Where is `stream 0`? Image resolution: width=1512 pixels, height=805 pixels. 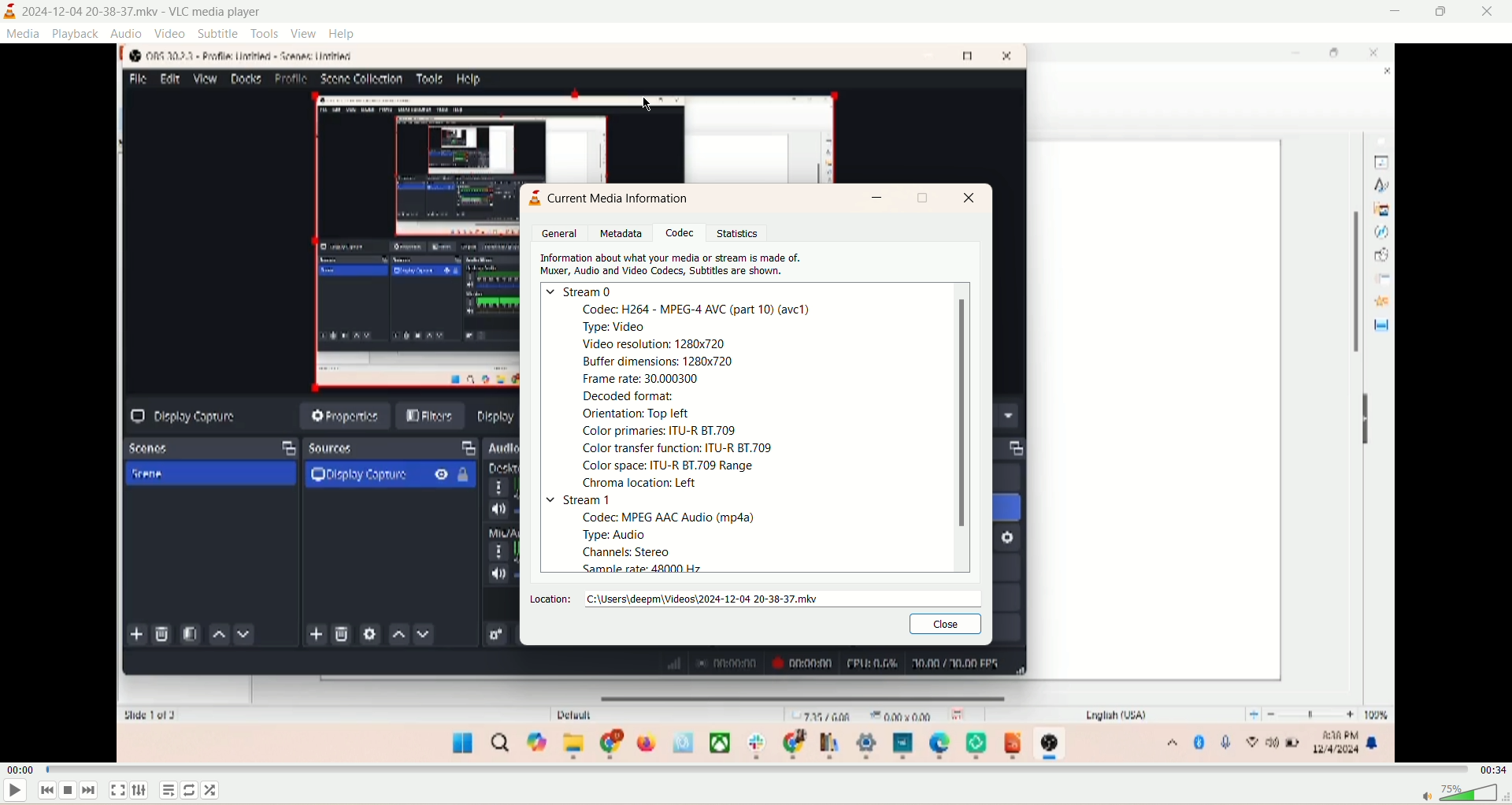 stream 0 is located at coordinates (580, 290).